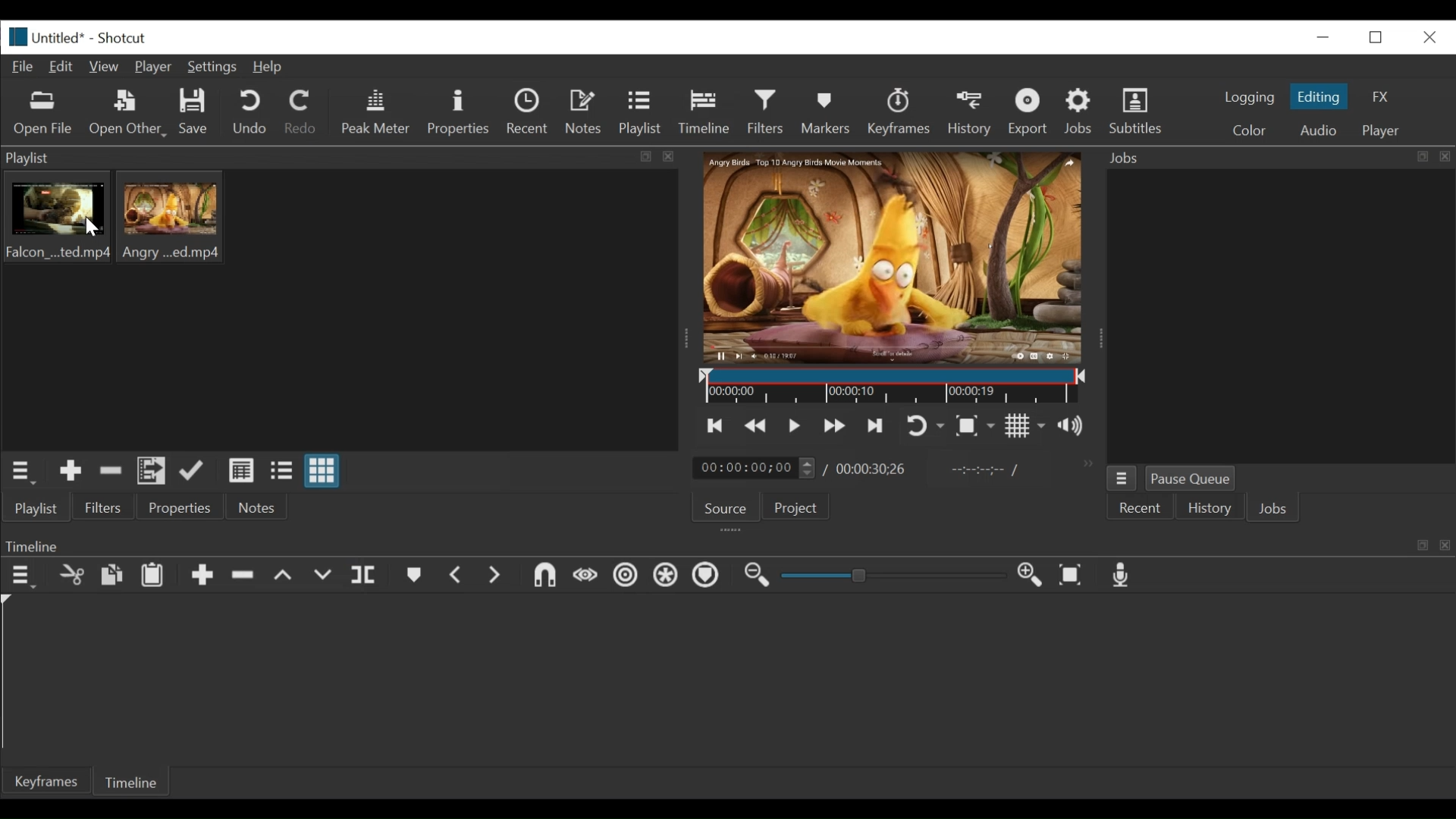 The image size is (1456, 819). I want to click on Toggle zoom, so click(974, 427).